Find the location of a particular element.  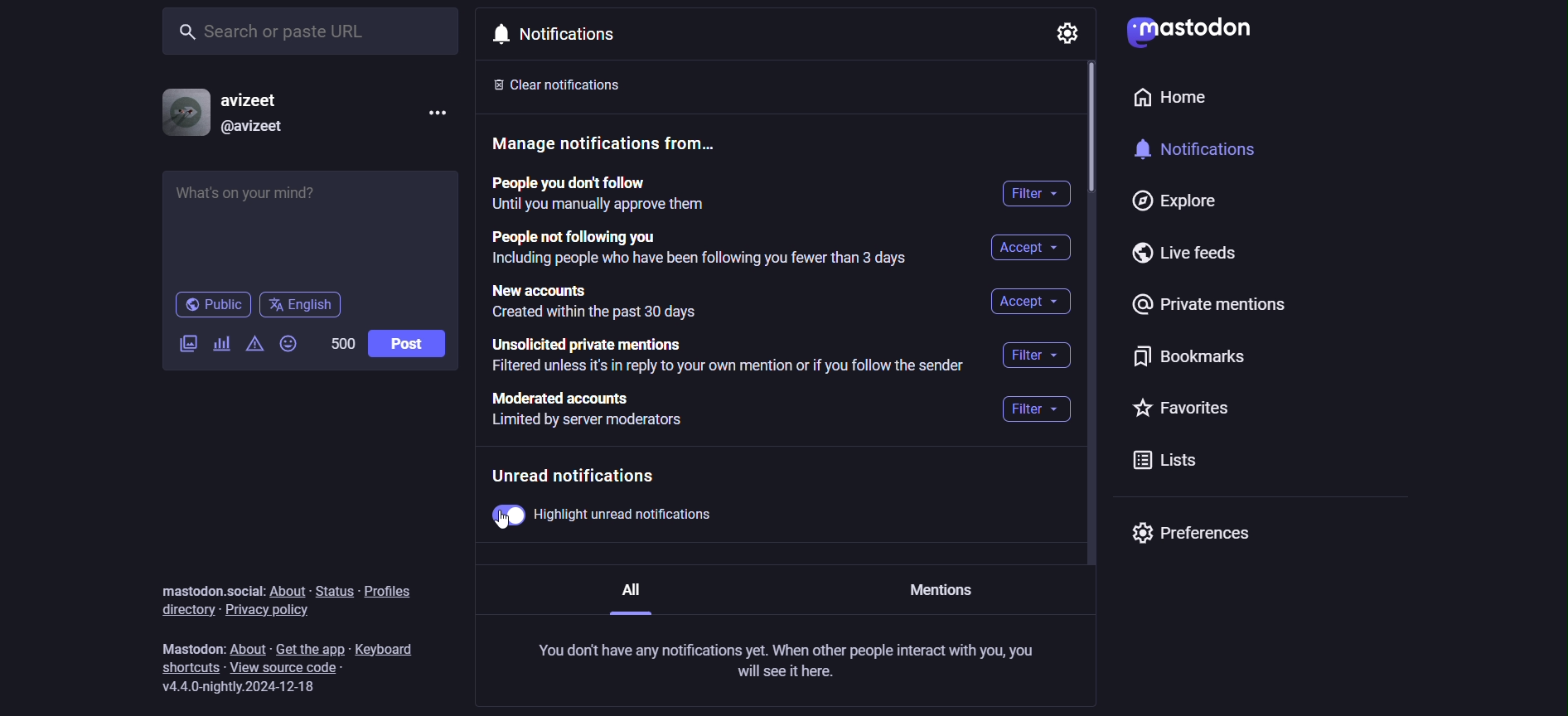

people not following you is located at coordinates (697, 249).